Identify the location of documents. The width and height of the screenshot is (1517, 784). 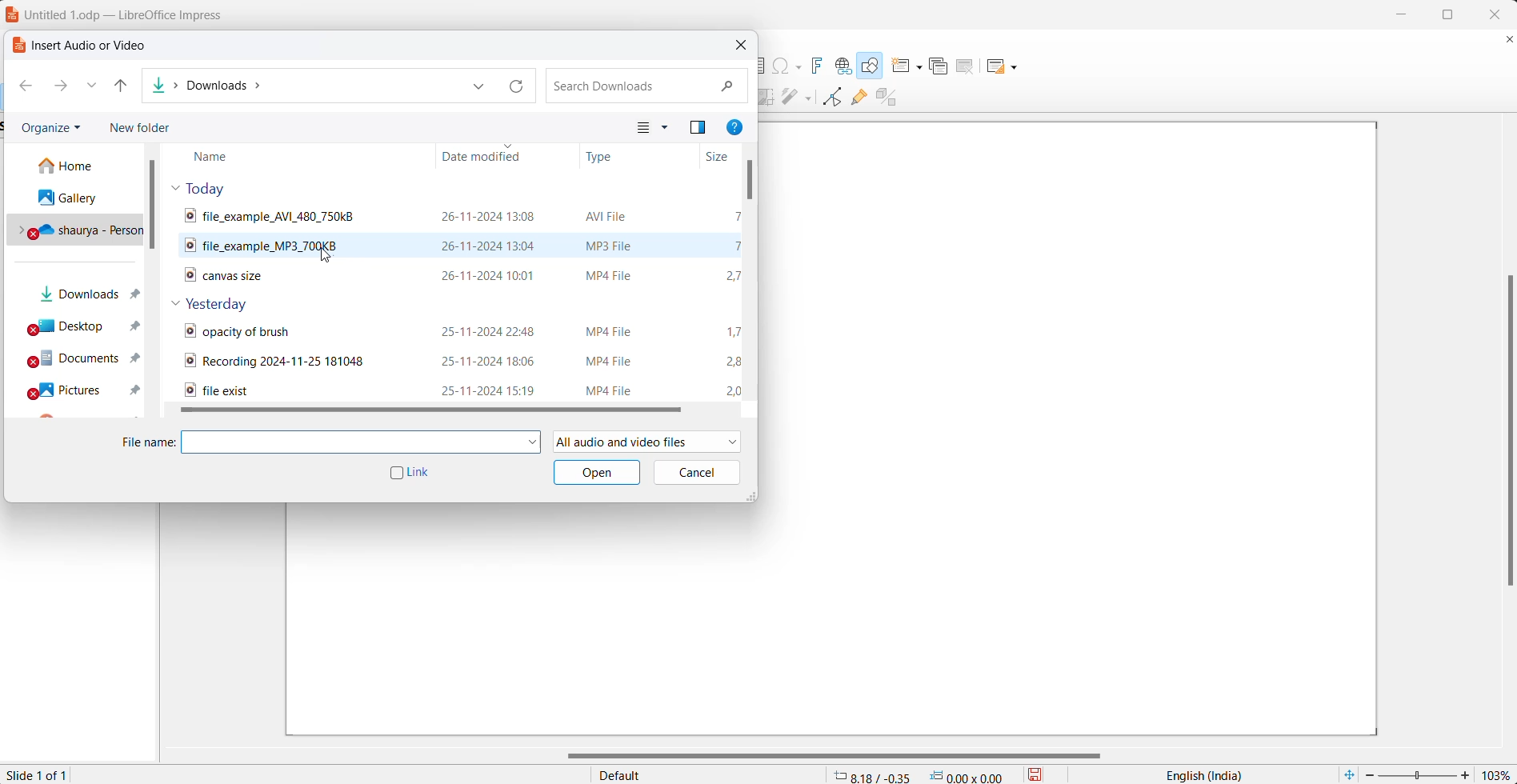
(85, 359).